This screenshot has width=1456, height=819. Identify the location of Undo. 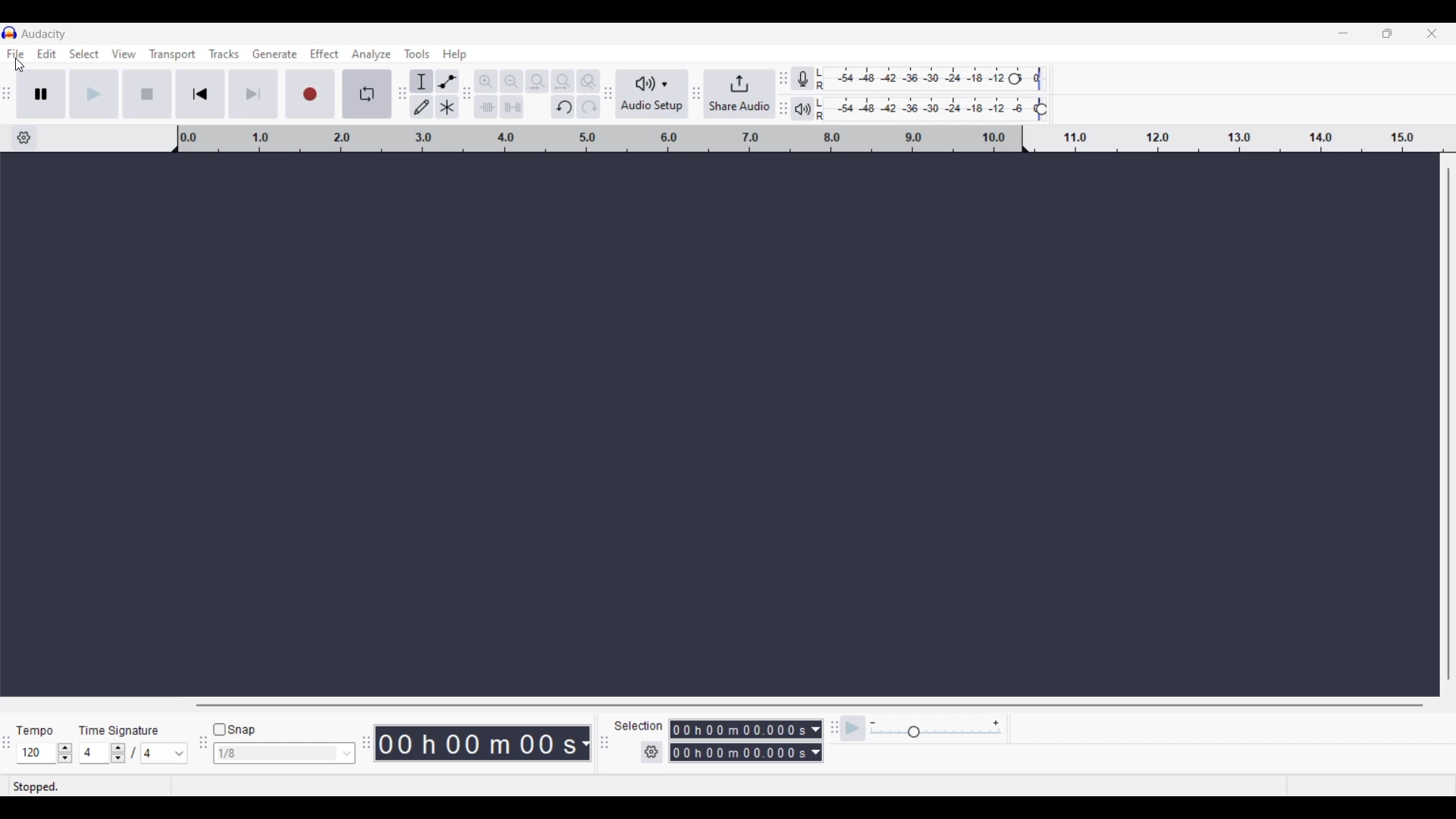
(563, 107).